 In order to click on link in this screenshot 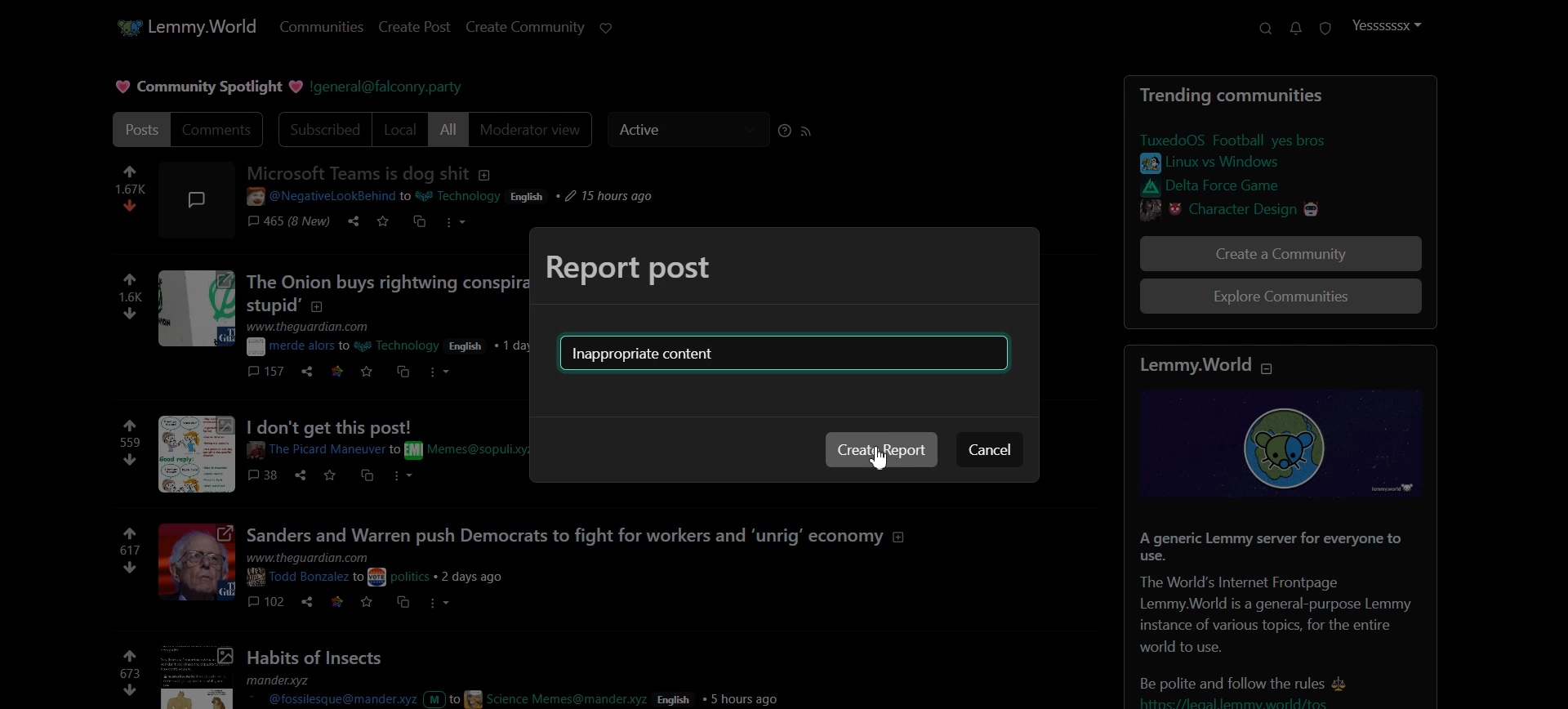, I will do `click(131, 534)`.